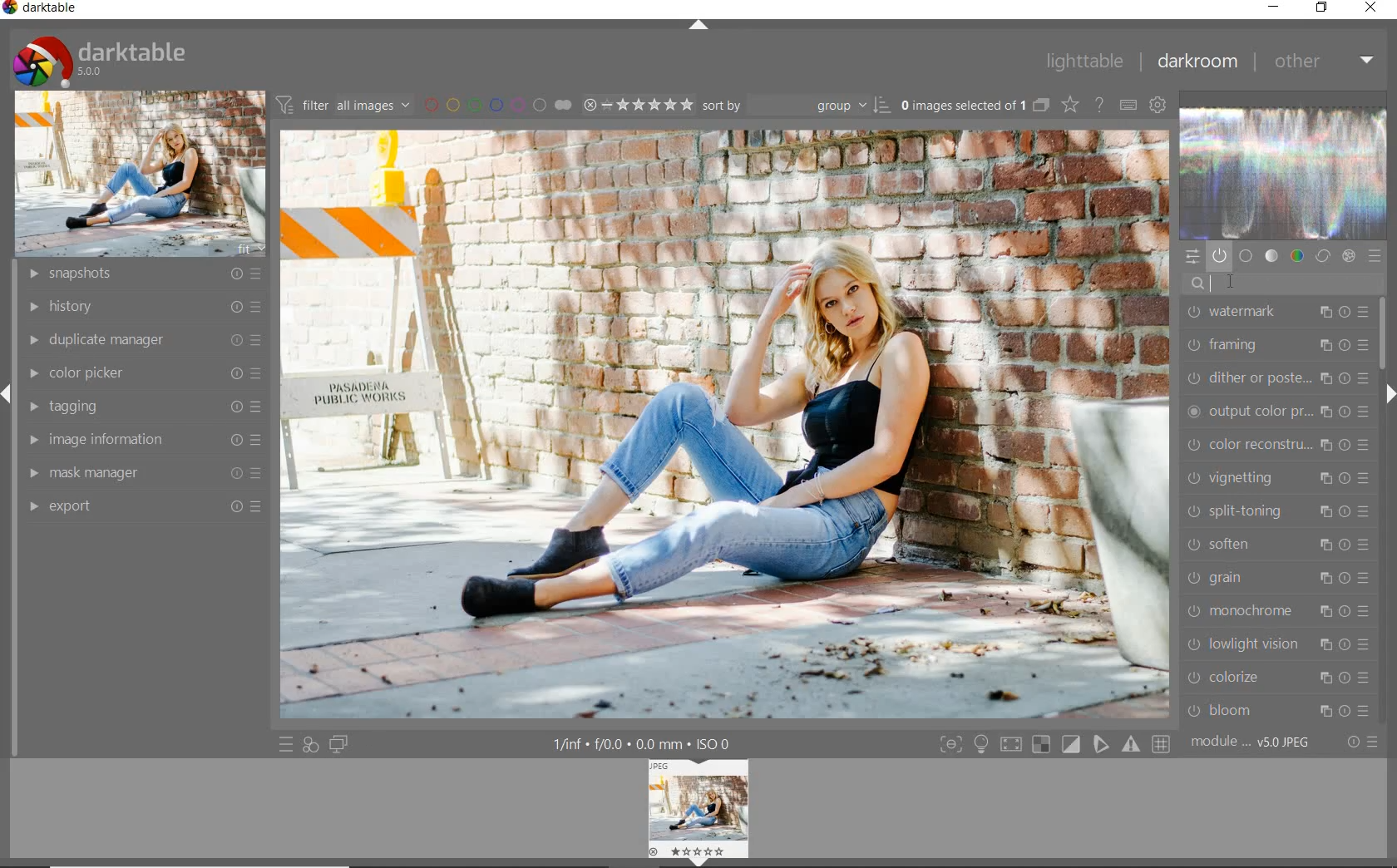 Image resolution: width=1397 pixels, height=868 pixels. What do you see at coordinates (961, 106) in the screenshot?
I see `selected images` at bounding box center [961, 106].